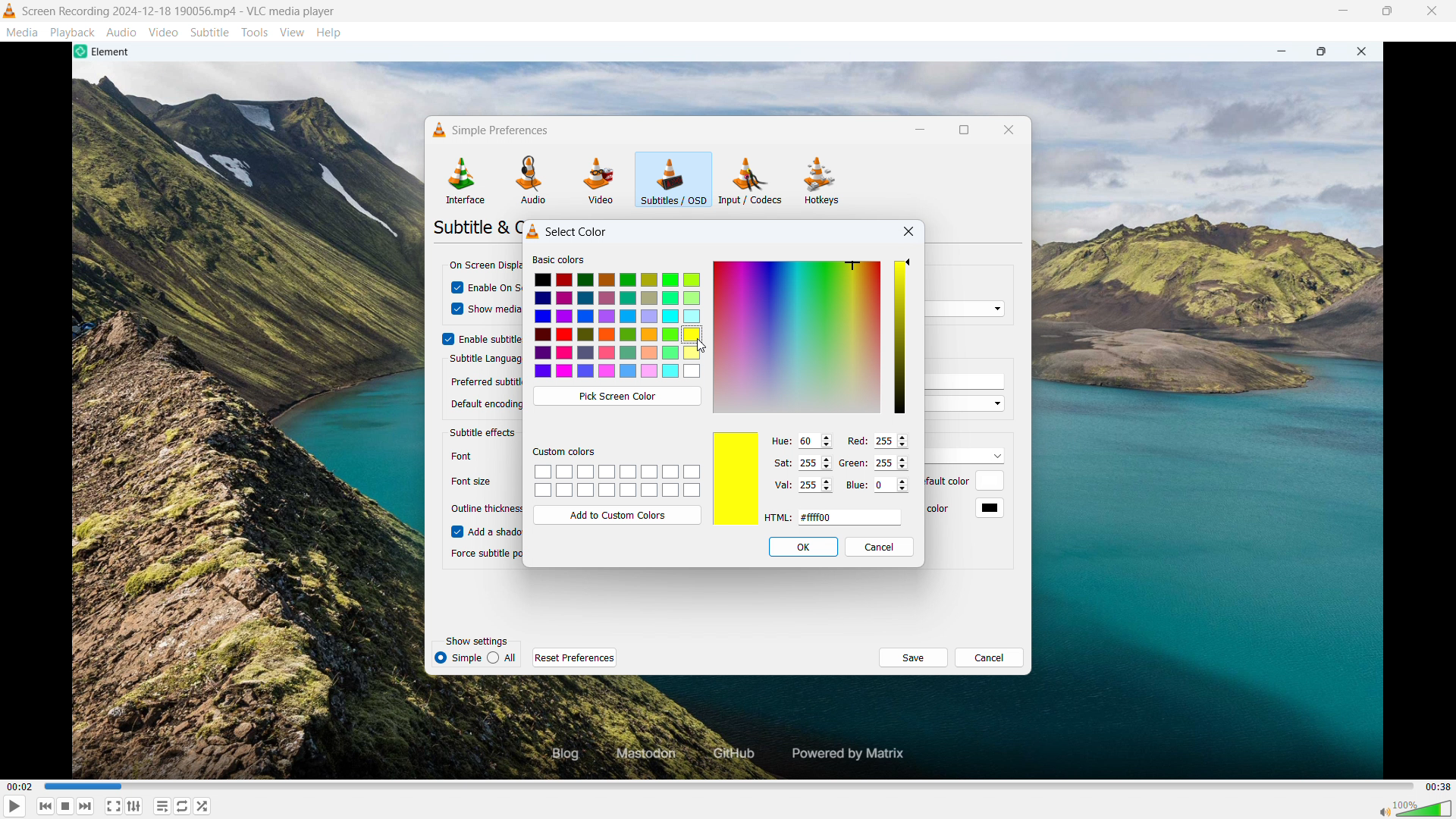 The width and height of the screenshot is (1456, 819). What do you see at coordinates (483, 359) in the screenshot?
I see `Subtitle language ` at bounding box center [483, 359].